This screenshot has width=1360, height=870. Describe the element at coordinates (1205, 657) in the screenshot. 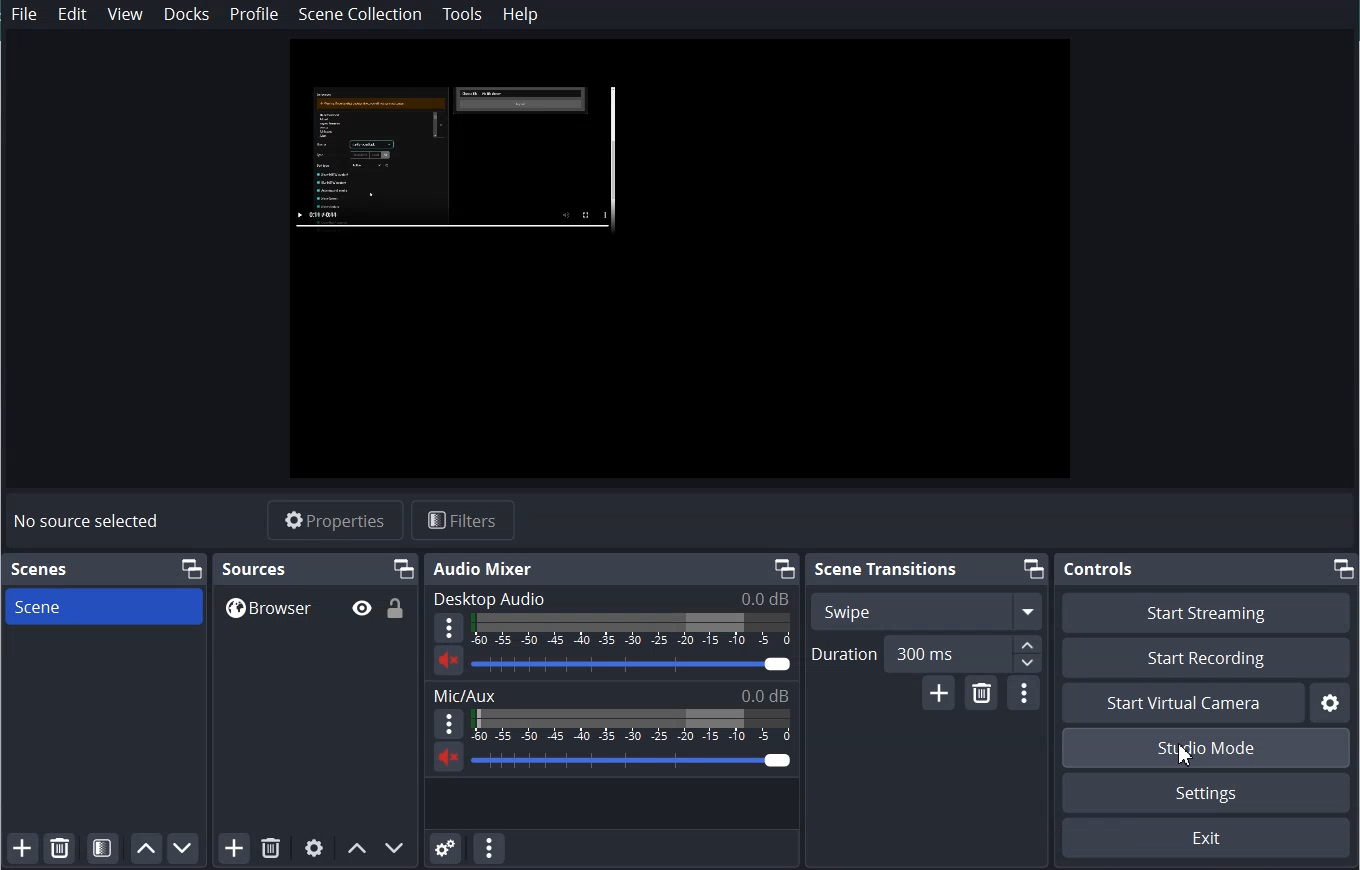

I see `Start Recording` at that location.